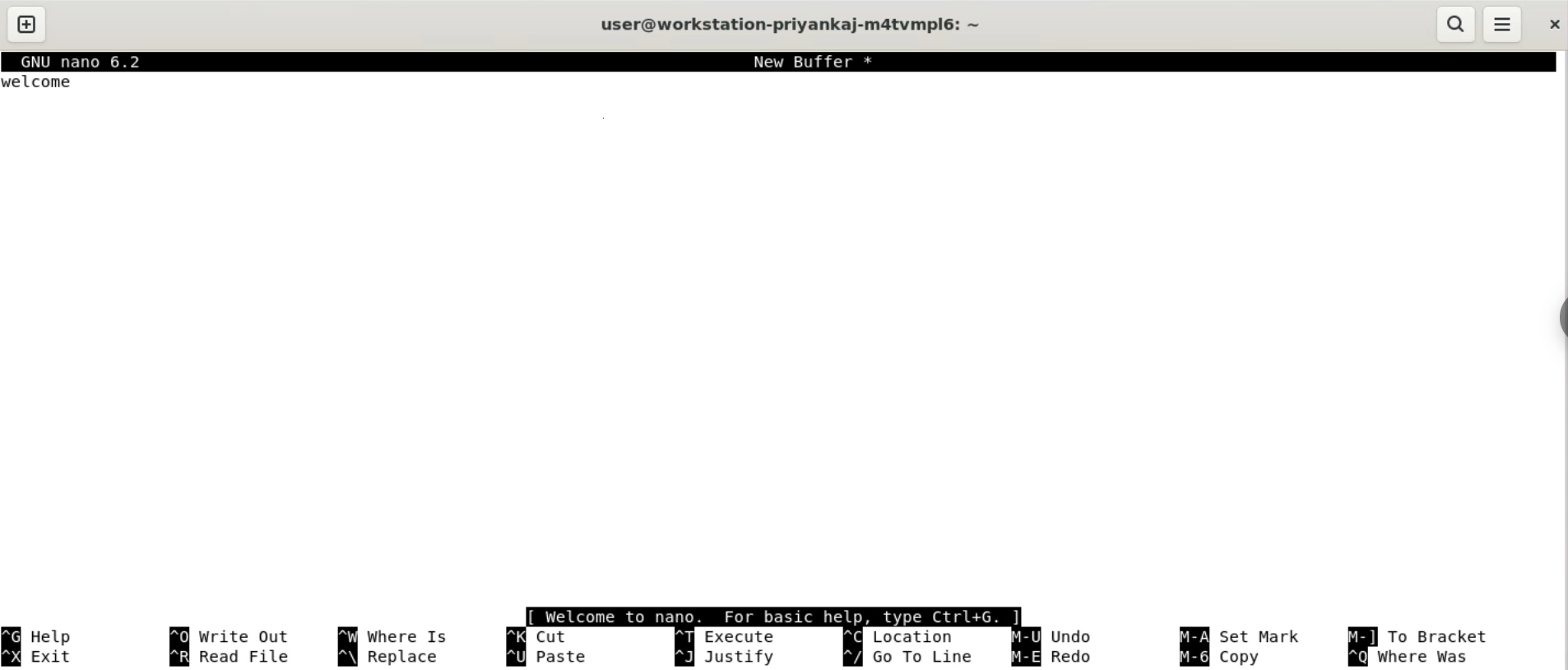  What do you see at coordinates (1246, 636) in the screenshot?
I see `set mark` at bounding box center [1246, 636].